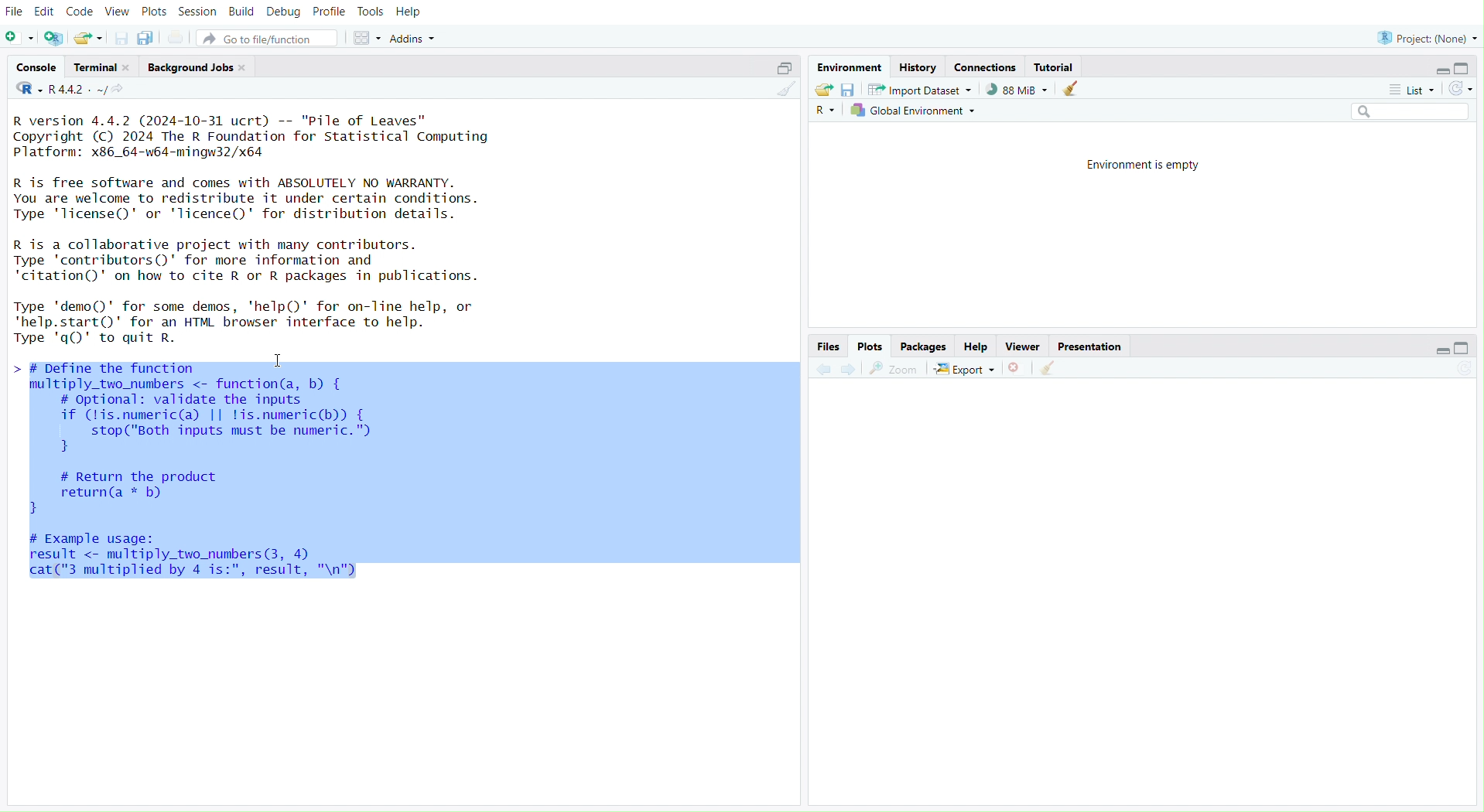 Image resolution: width=1484 pixels, height=812 pixels. Describe the element at coordinates (1463, 88) in the screenshot. I see `Refresh the list of objects in the environment` at that location.